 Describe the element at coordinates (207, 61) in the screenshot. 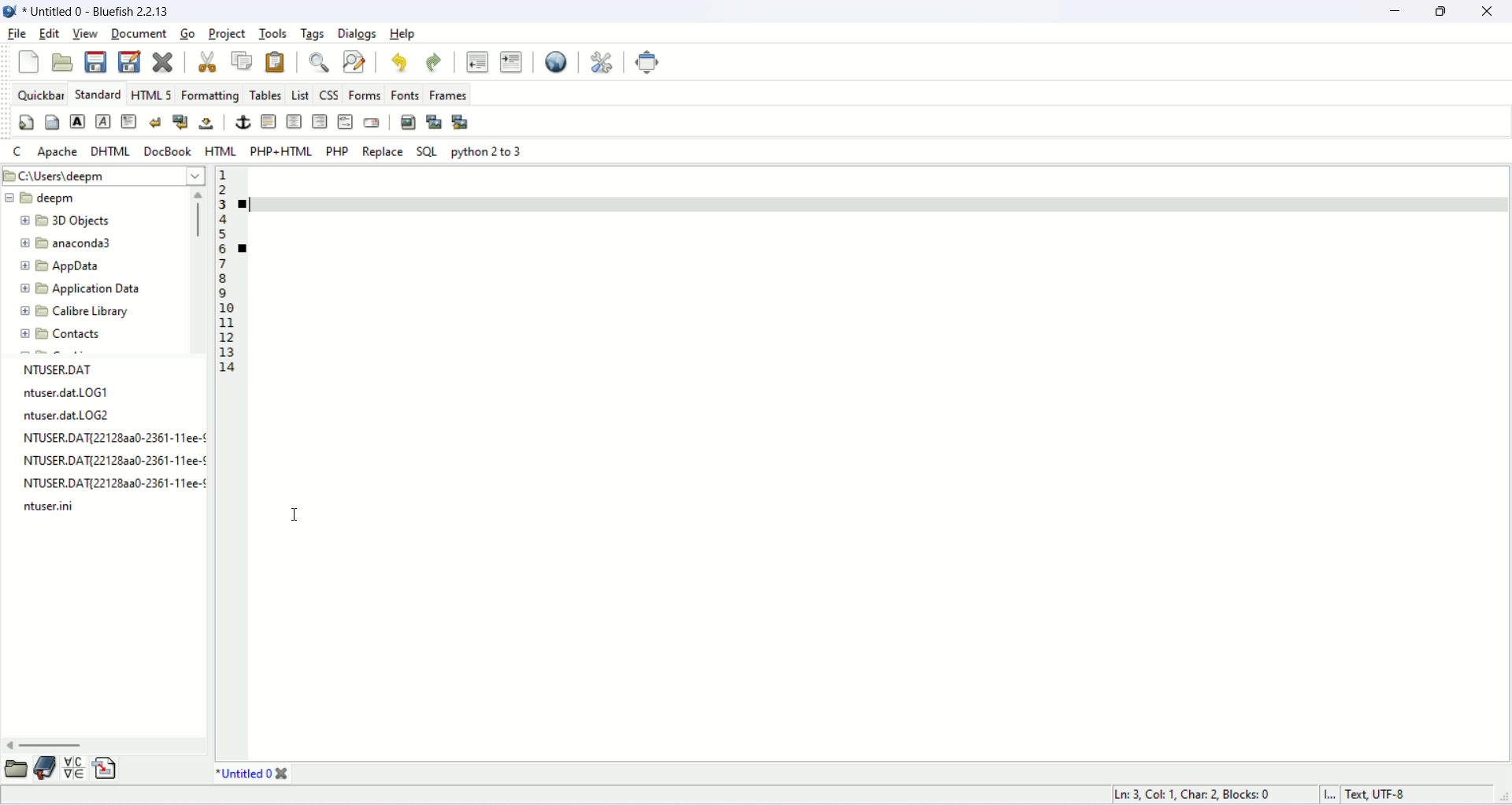

I see `close` at that location.